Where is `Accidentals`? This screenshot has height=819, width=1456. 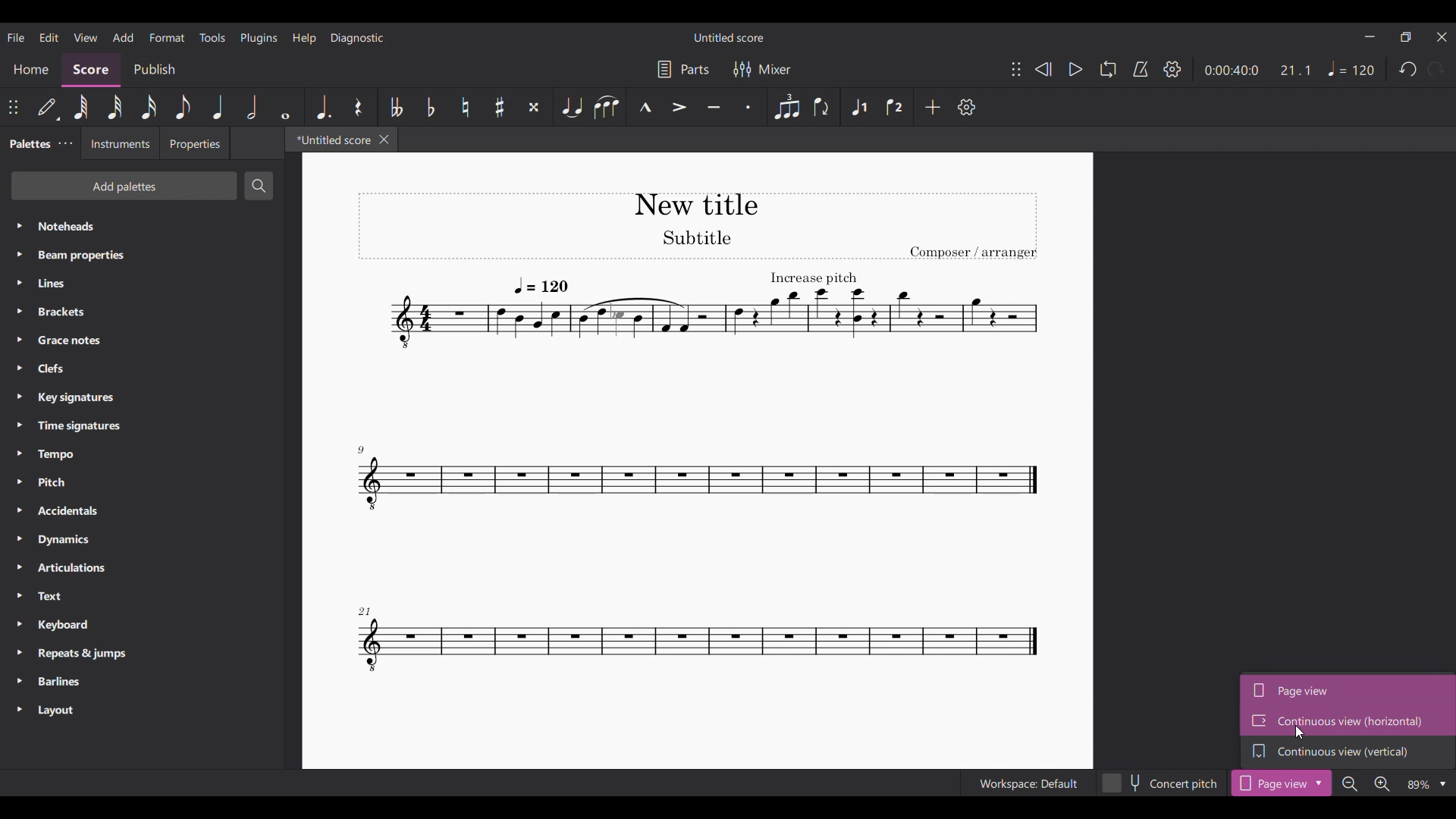 Accidentals is located at coordinates (142, 510).